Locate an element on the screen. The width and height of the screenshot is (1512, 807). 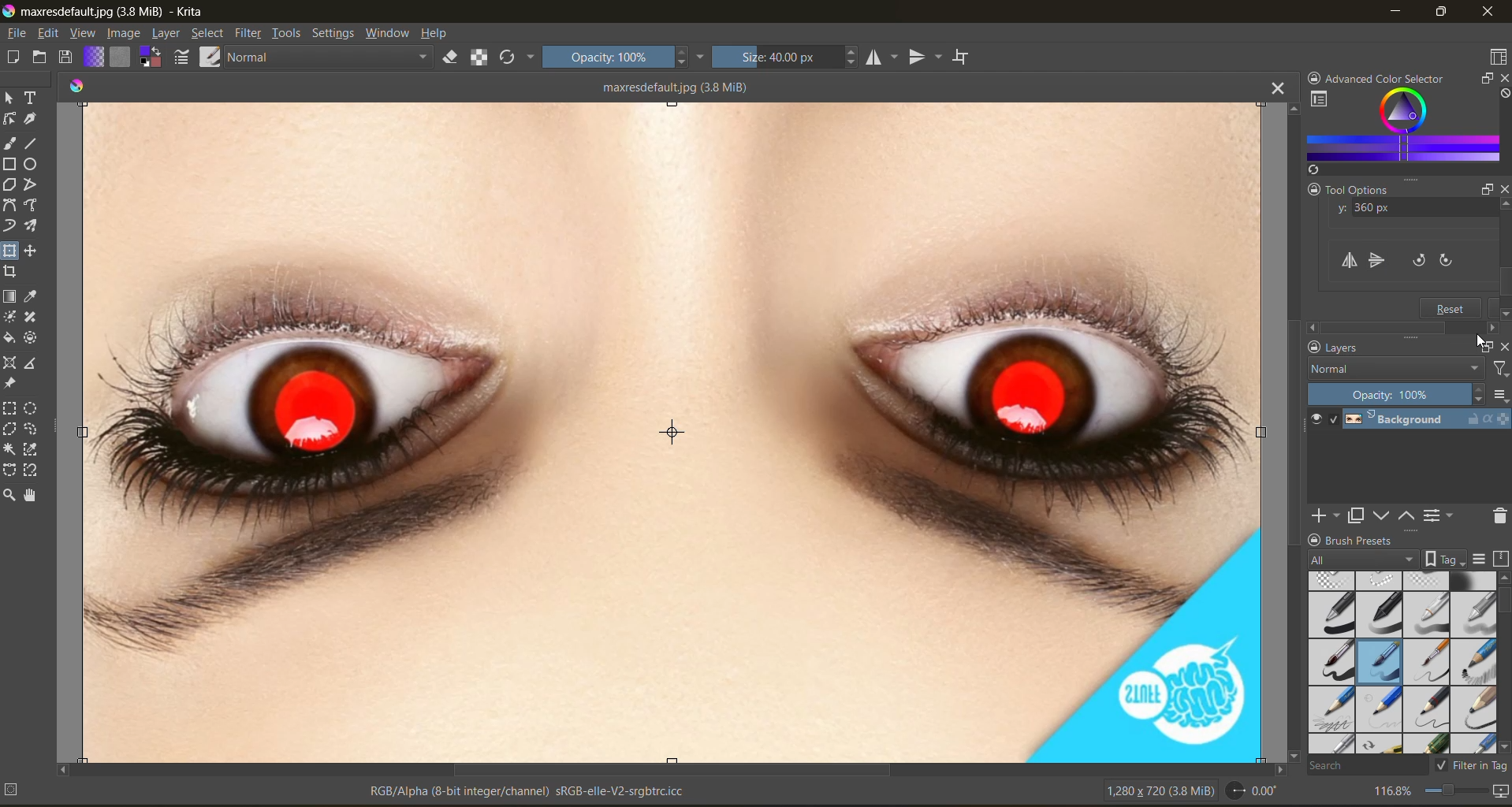
maxresdefault (34 MiB) is located at coordinates (677, 86).